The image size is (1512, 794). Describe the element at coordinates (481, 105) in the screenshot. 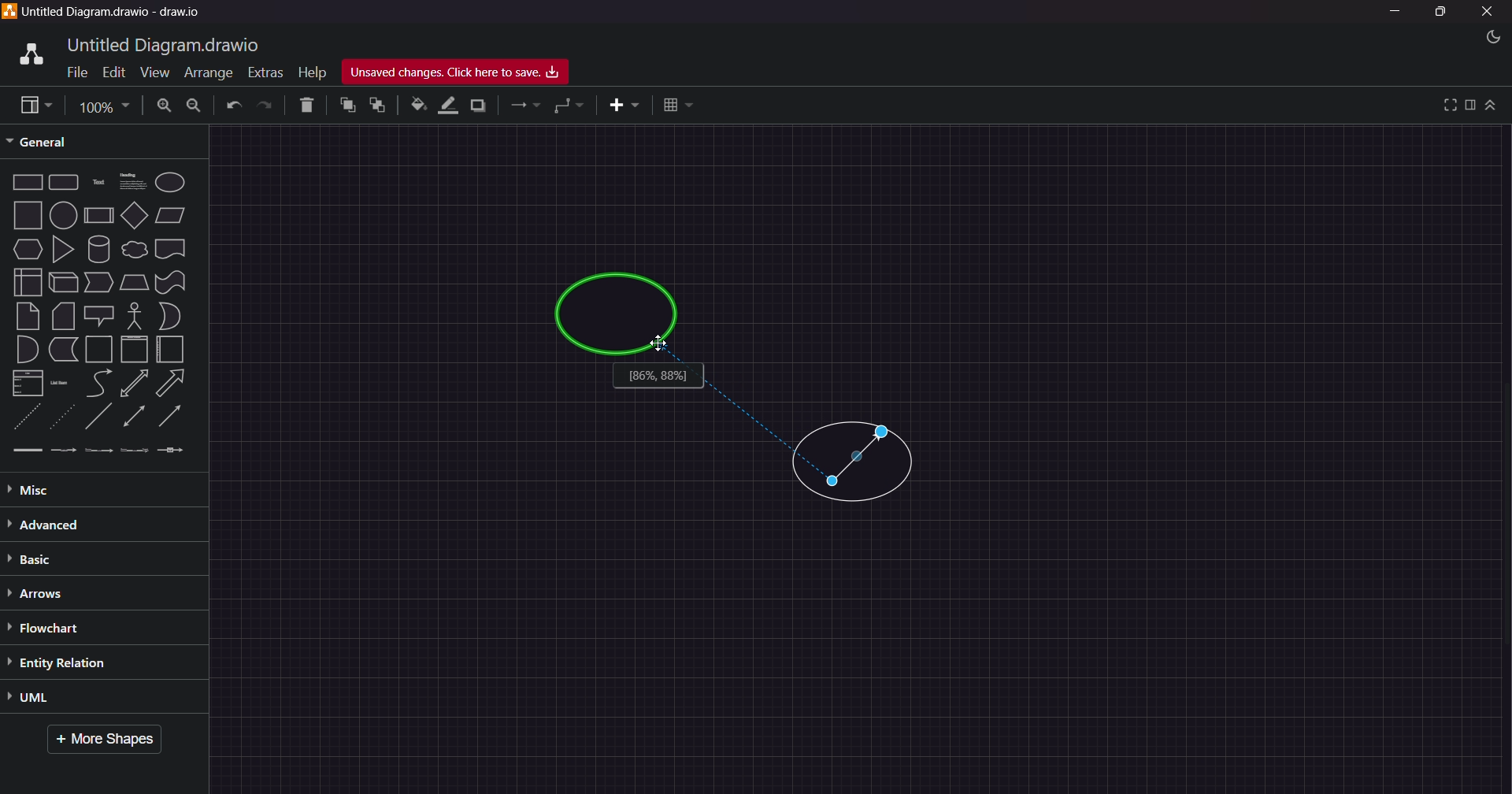

I see `shadow` at that location.